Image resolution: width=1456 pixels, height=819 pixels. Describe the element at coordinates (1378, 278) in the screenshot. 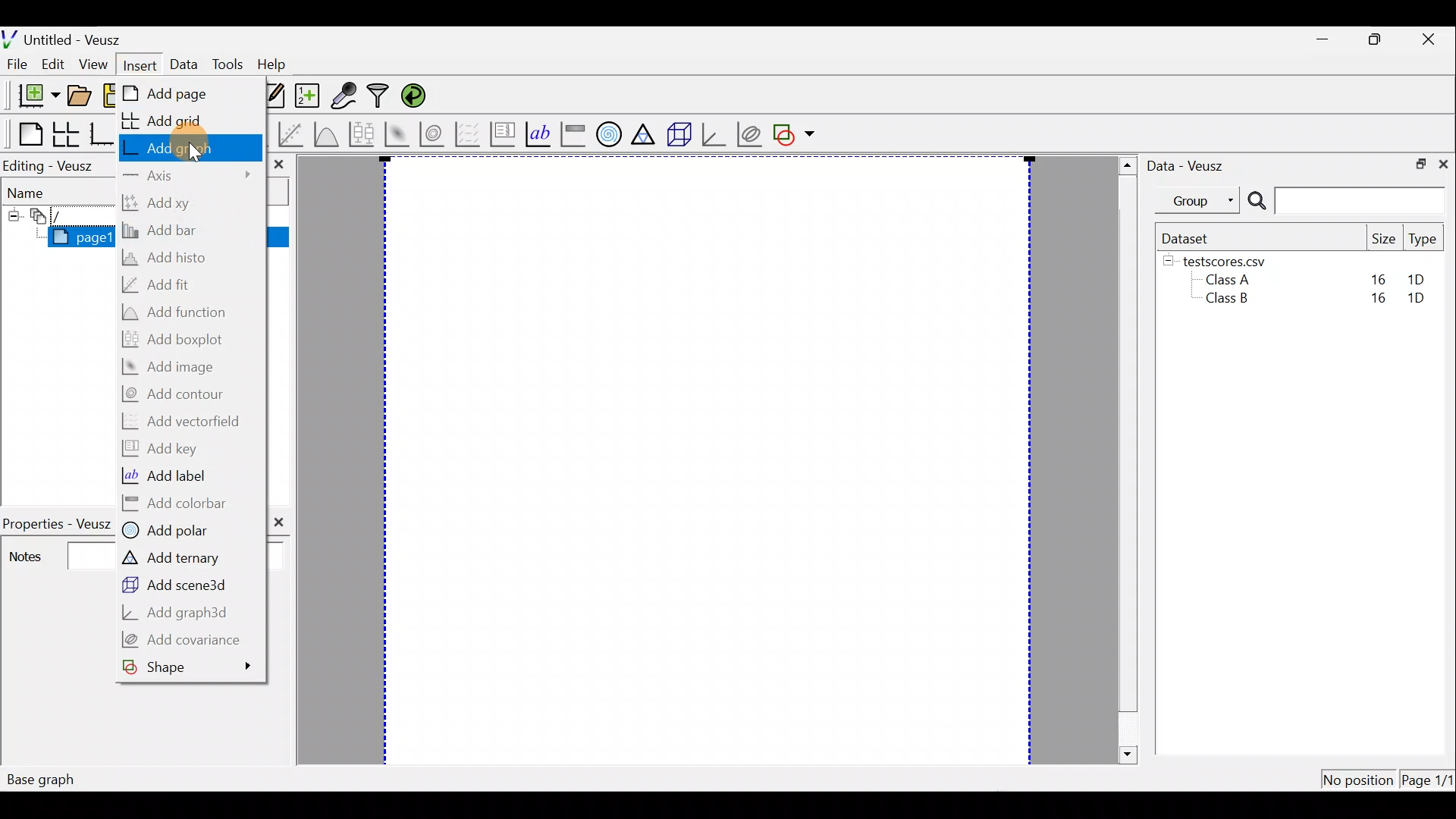

I see `16` at that location.